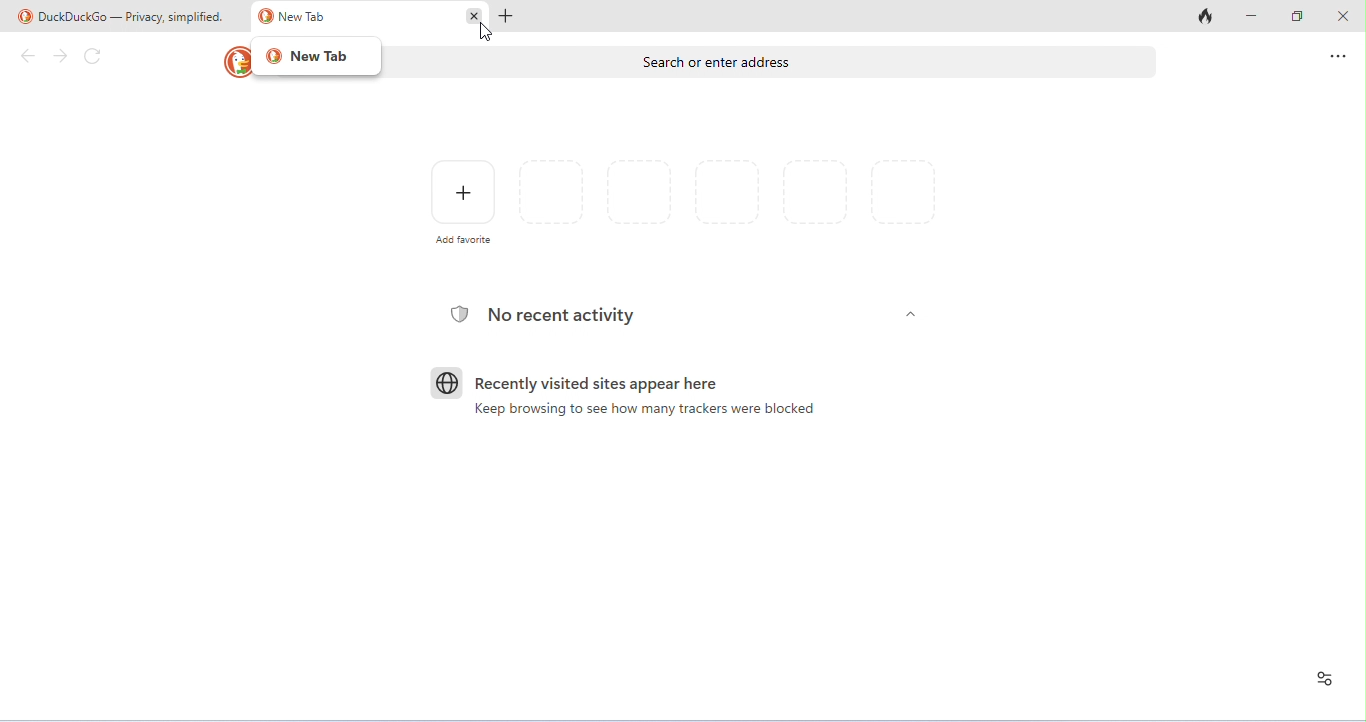 The height and width of the screenshot is (722, 1366). What do you see at coordinates (1299, 17) in the screenshot?
I see `maximize` at bounding box center [1299, 17].